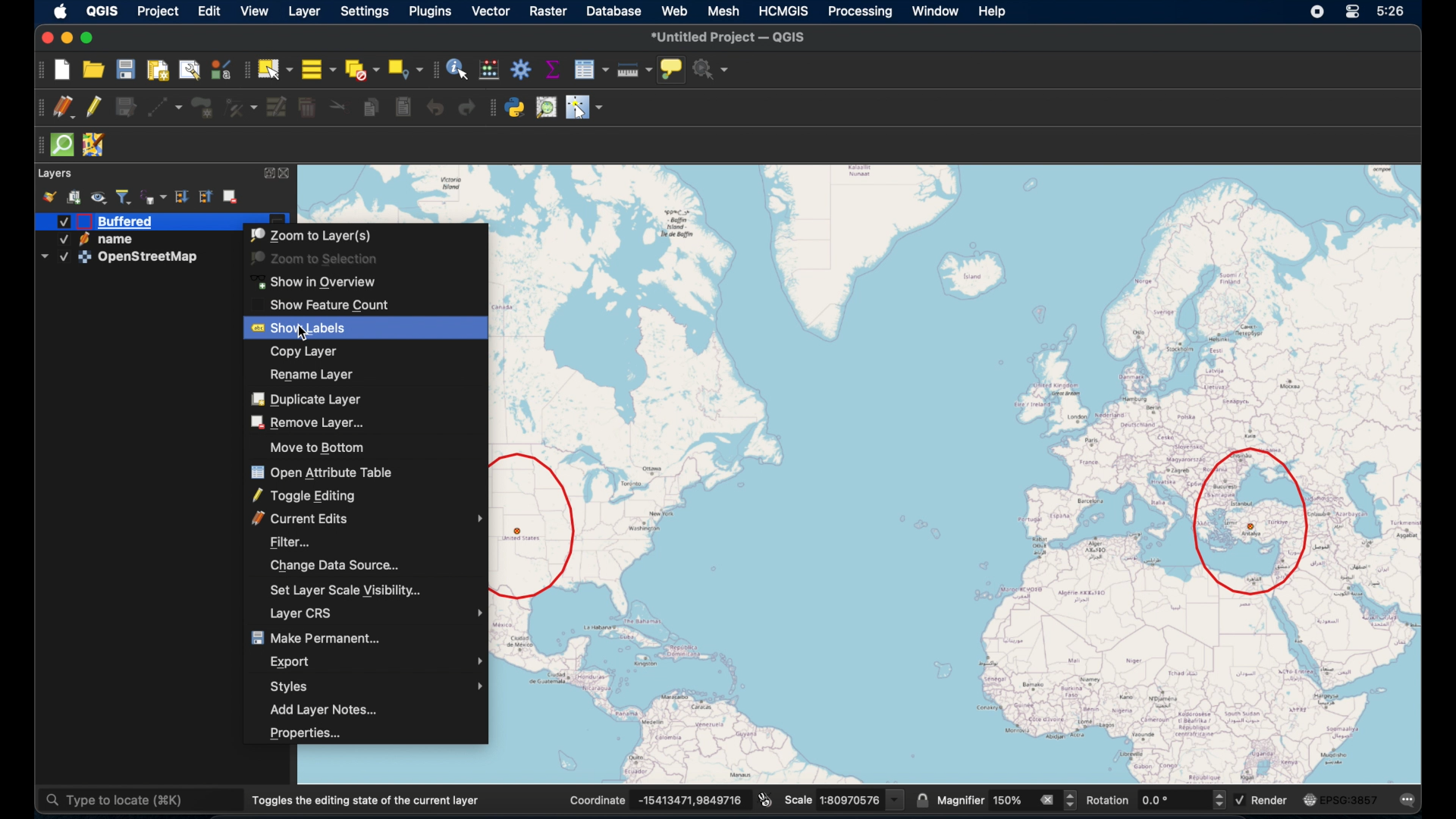 The height and width of the screenshot is (819, 1456). What do you see at coordinates (61, 145) in the screenshot?
I see `quicksom` at bounding box center [61, 145].